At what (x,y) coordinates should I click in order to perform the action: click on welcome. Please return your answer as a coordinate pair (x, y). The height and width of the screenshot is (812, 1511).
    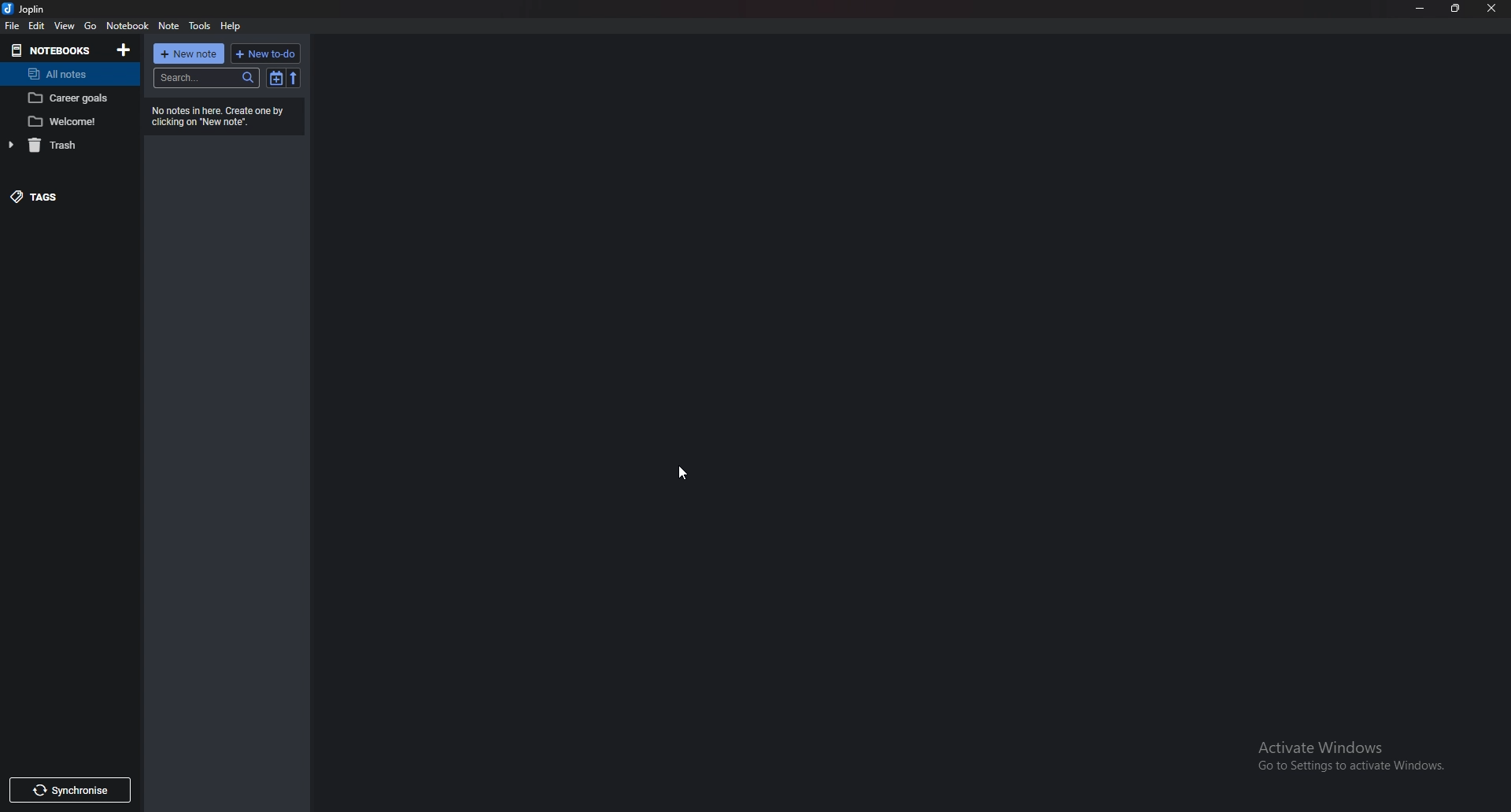
    Looking at the image, I should click on (68, 120).